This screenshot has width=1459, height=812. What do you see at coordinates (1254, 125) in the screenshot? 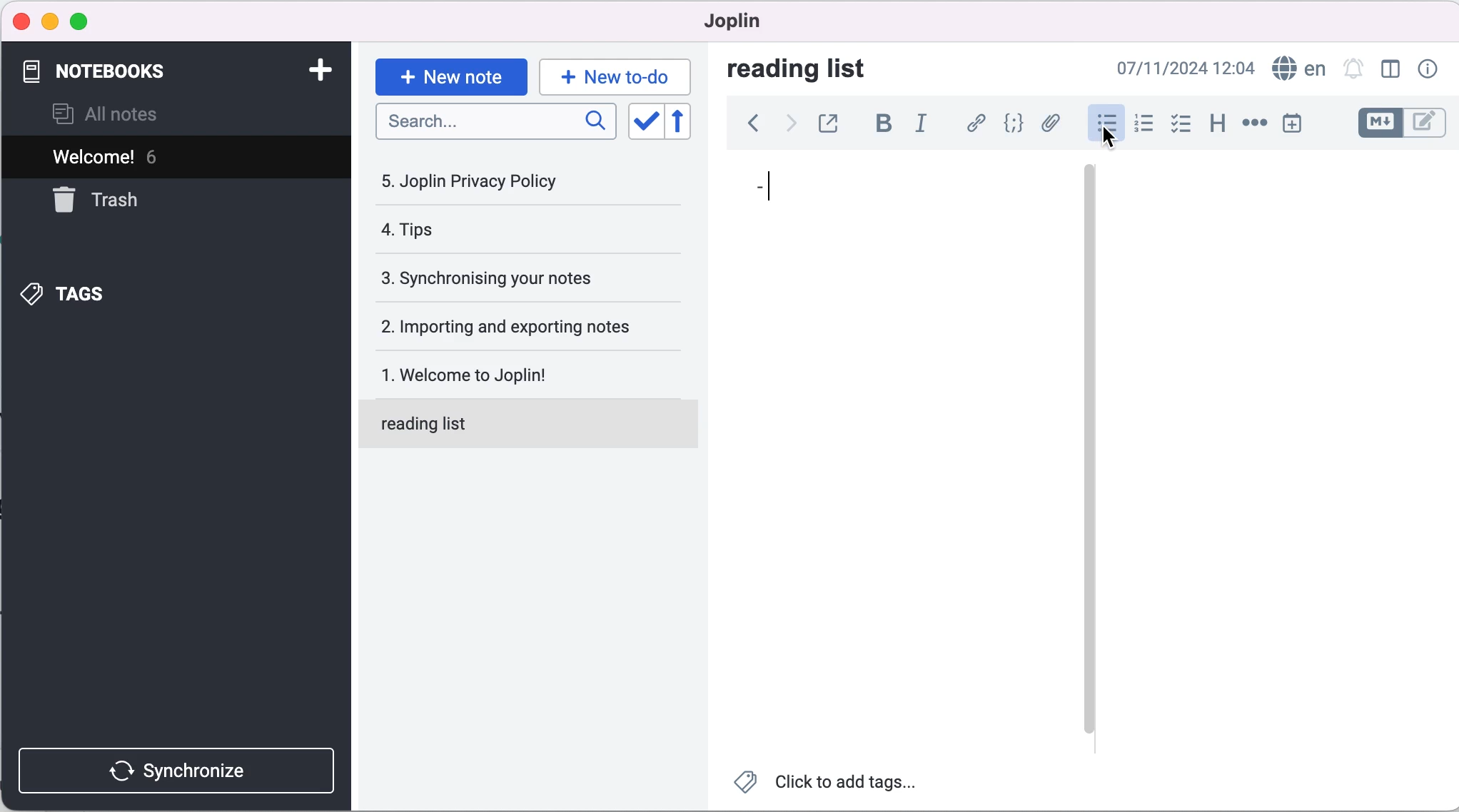
I see `horizontal rule` at bounding box center [1254, 125].